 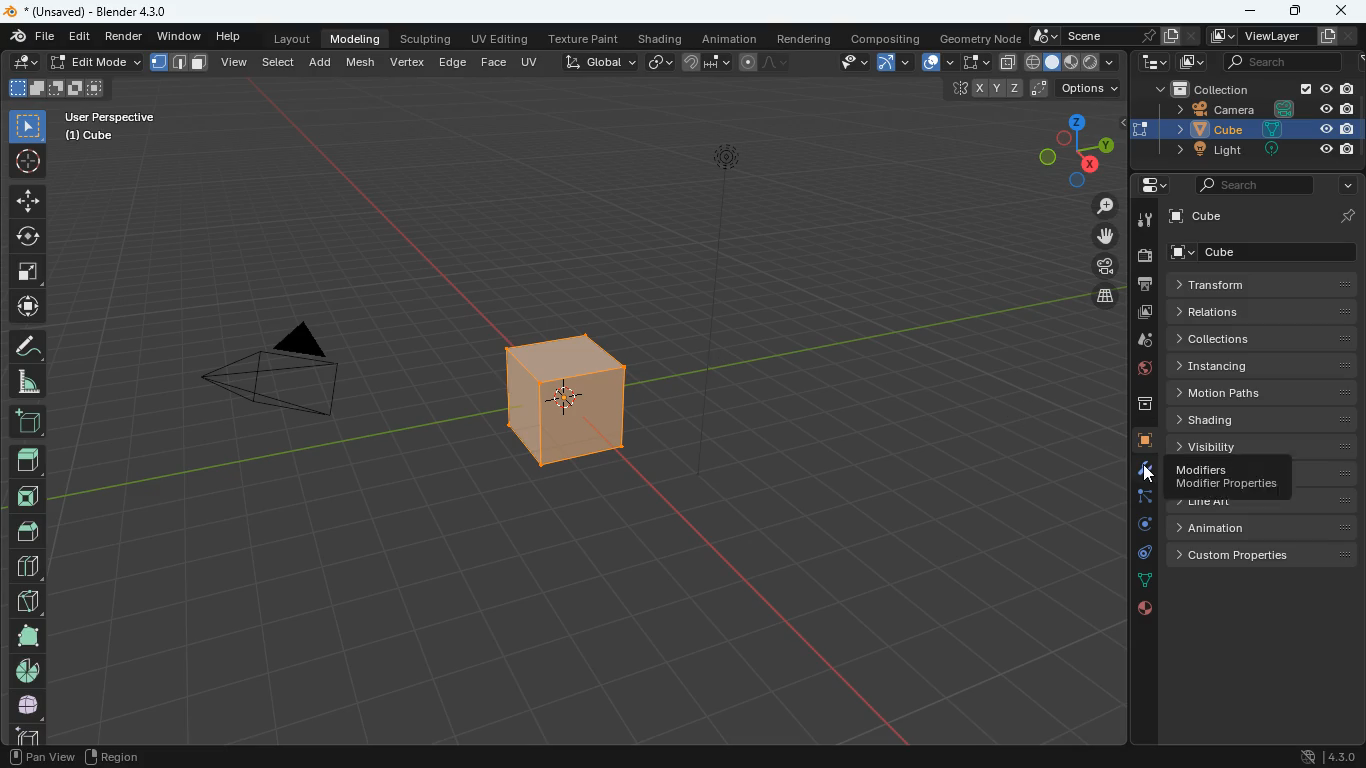 What do you see at coordinates (28, 569) in the screenshot?
I see `blocks` at bounding box center [28, 569].